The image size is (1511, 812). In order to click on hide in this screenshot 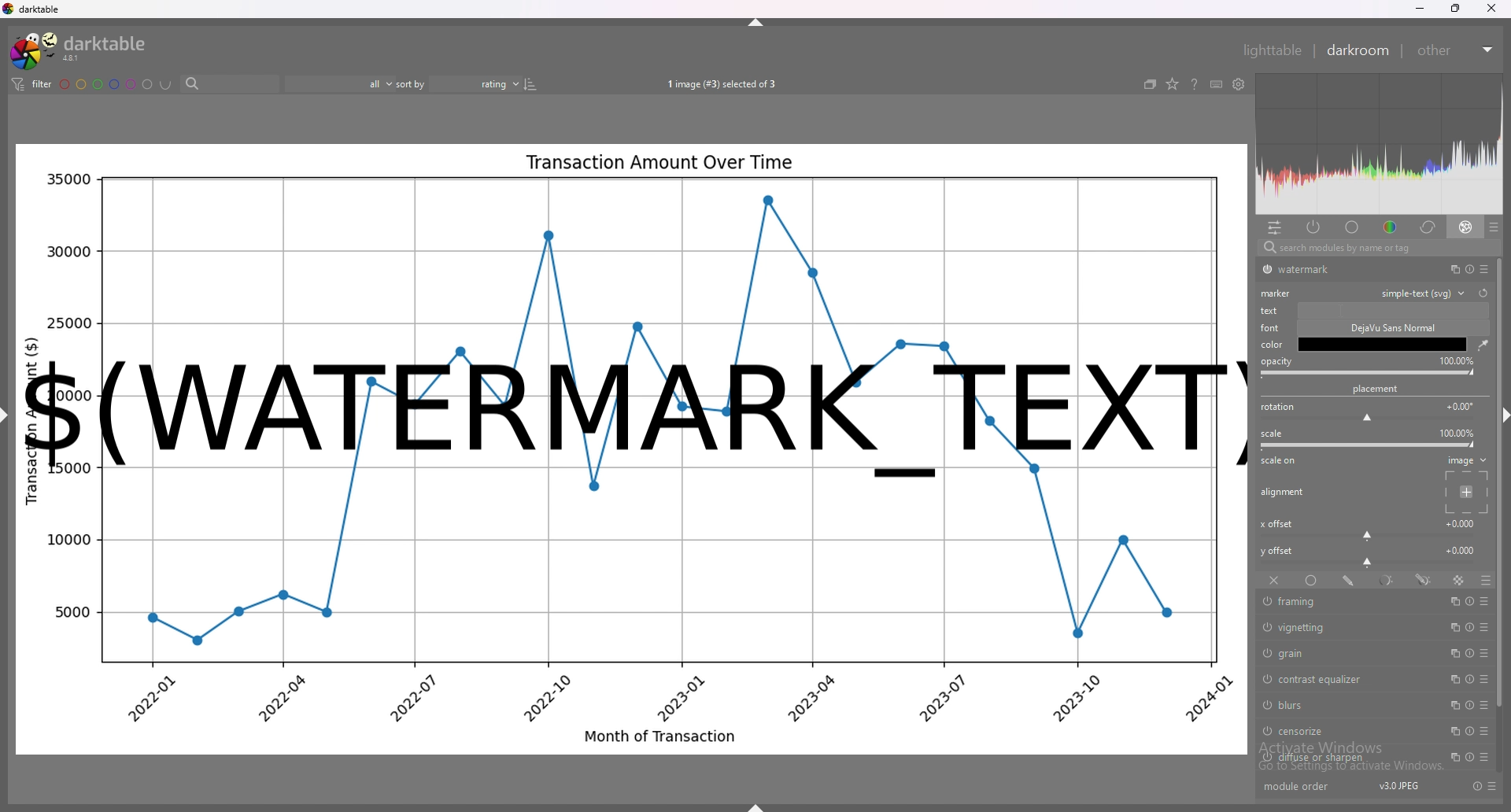, I will do `click(10, 421)`.